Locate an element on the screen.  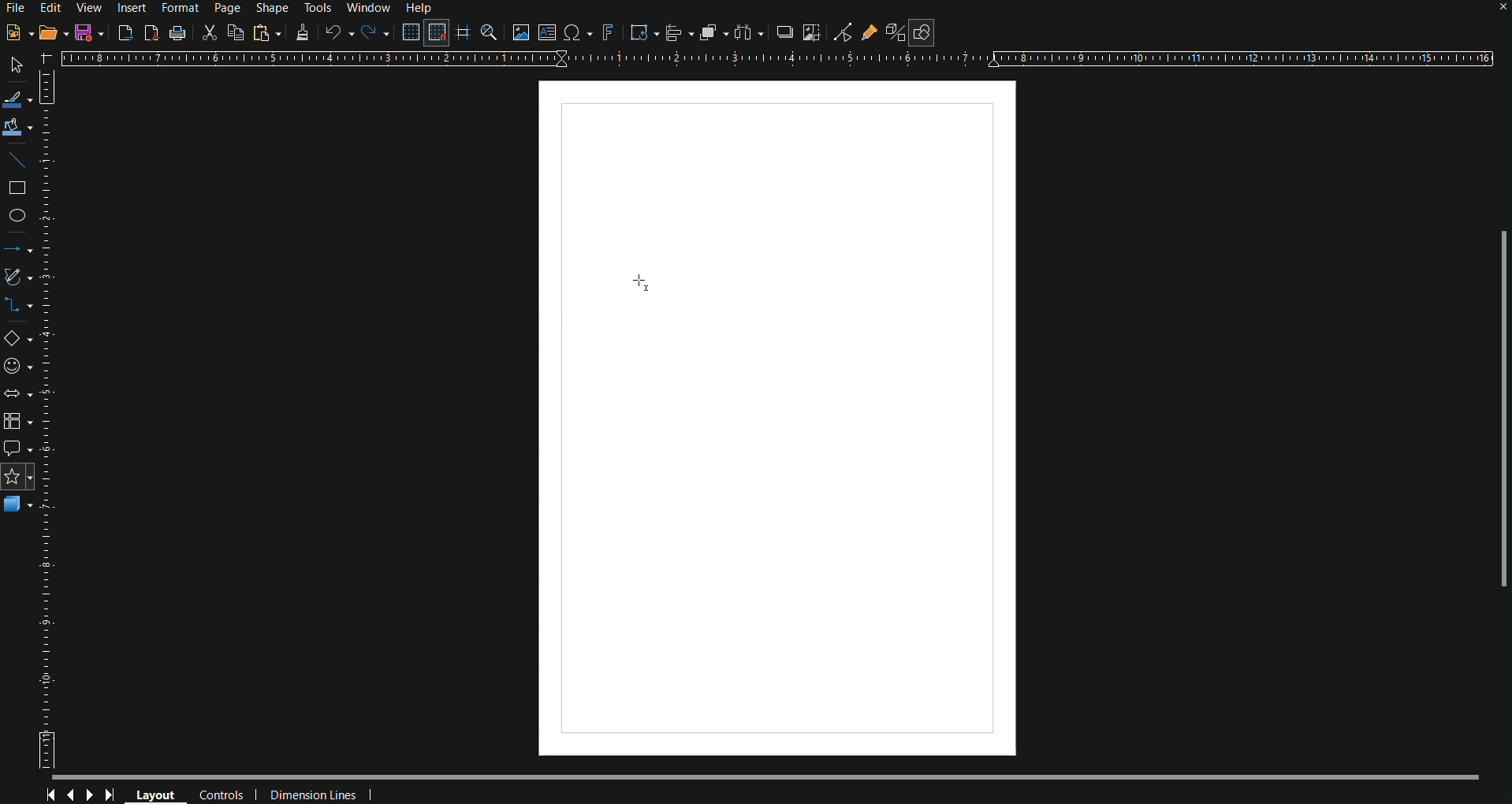
3D Objects is located at coordinates (19, 509).